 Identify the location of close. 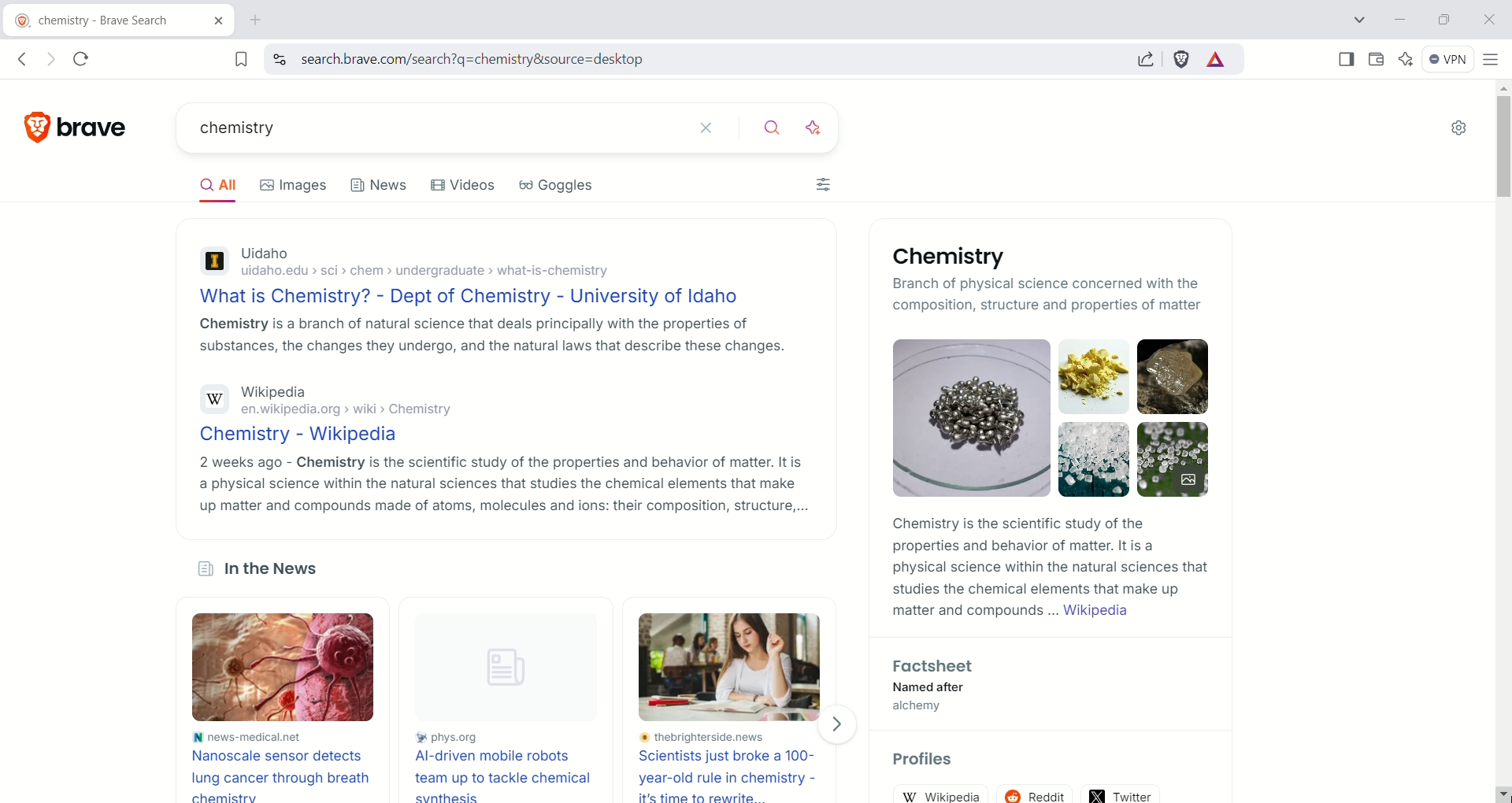
(211, 24).